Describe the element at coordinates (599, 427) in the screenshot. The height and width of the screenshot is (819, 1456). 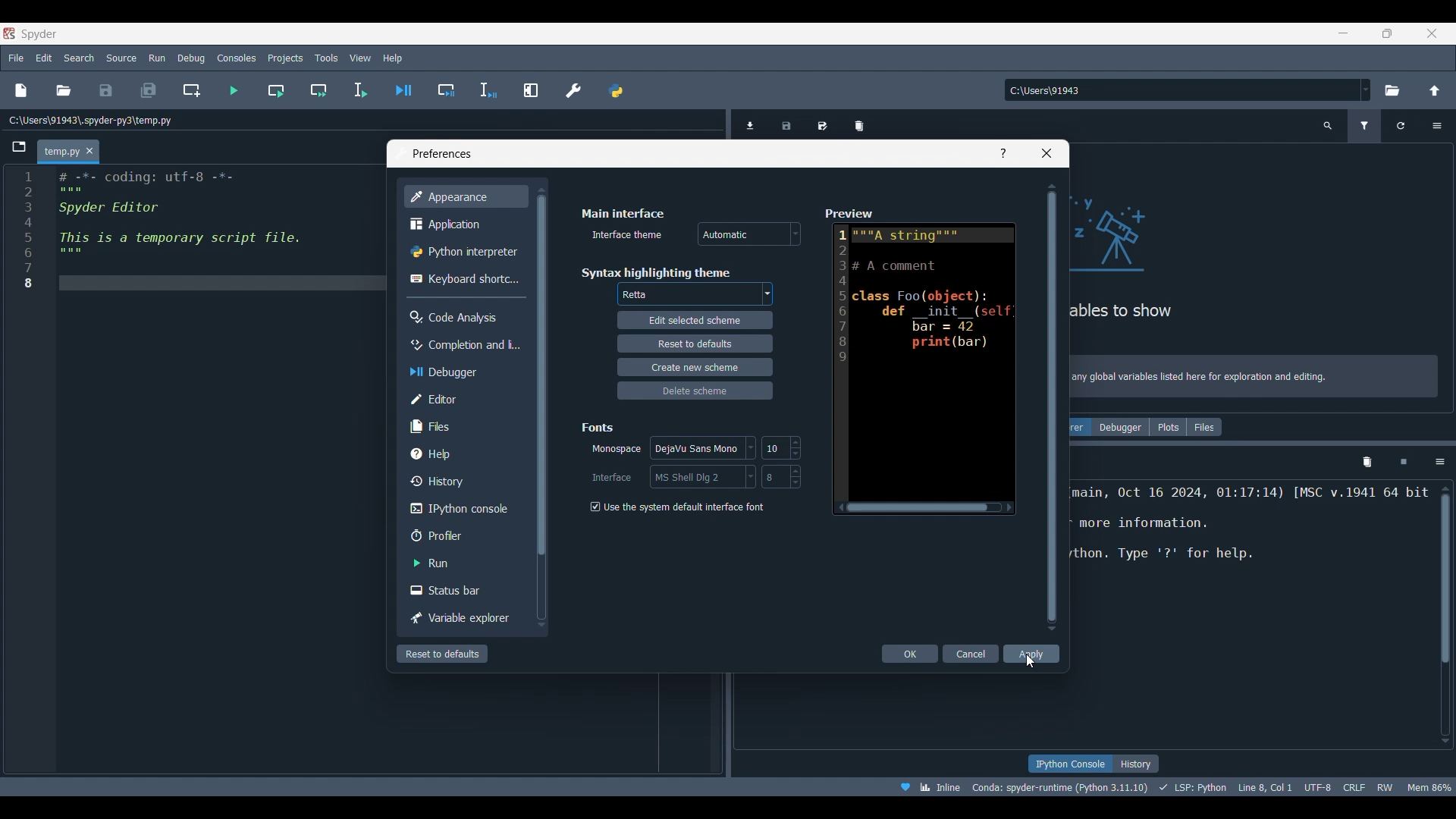
I see `Section title` at that location.